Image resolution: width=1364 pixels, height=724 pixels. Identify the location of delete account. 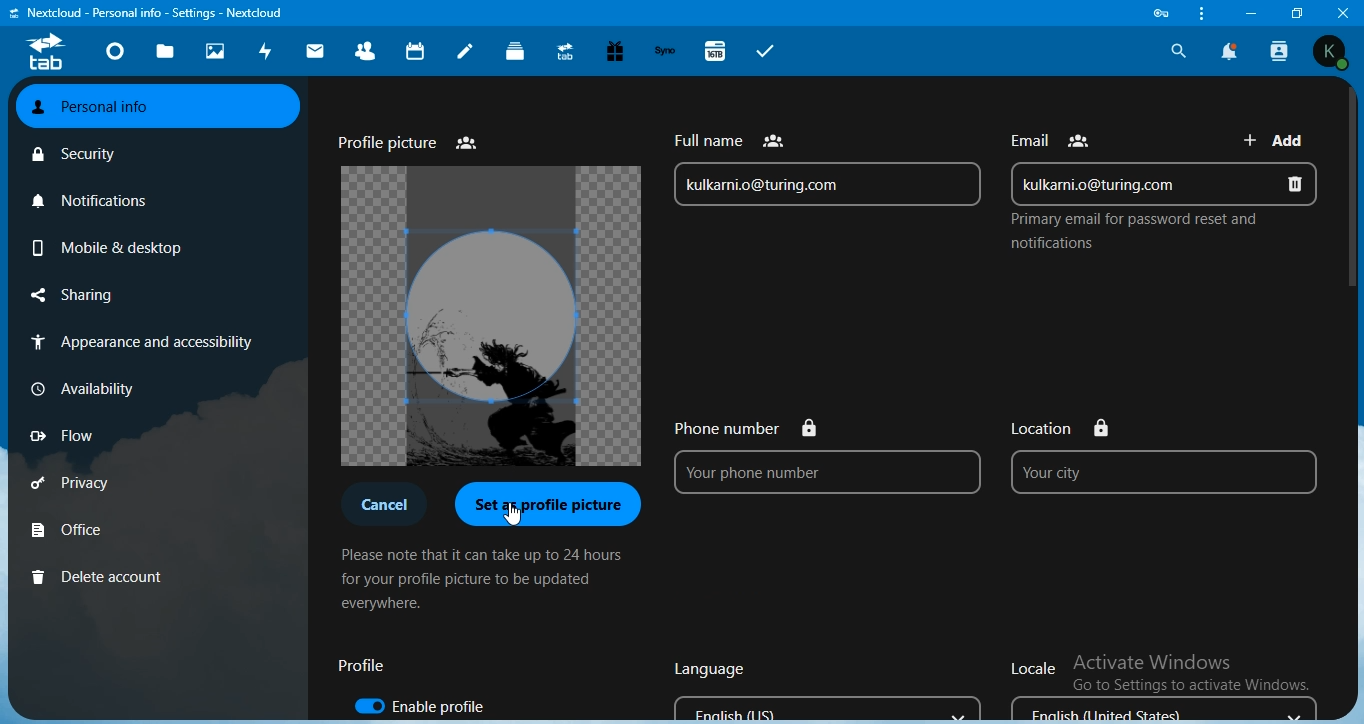
(103, 575).